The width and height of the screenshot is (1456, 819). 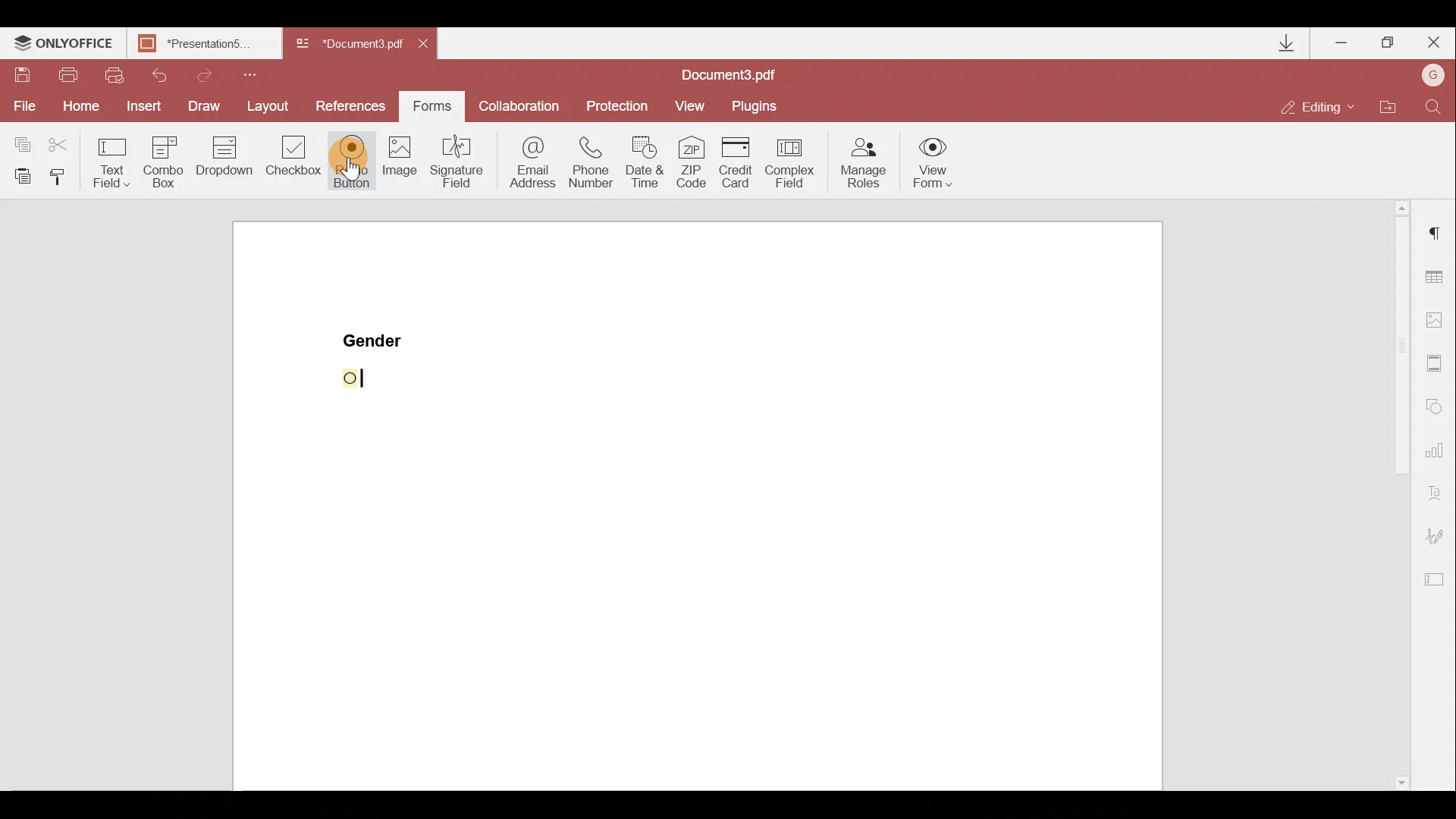 What do you see at coordinates (352, 44) in the screenshot?
I see `Document name` at bounding box center [352, 44].